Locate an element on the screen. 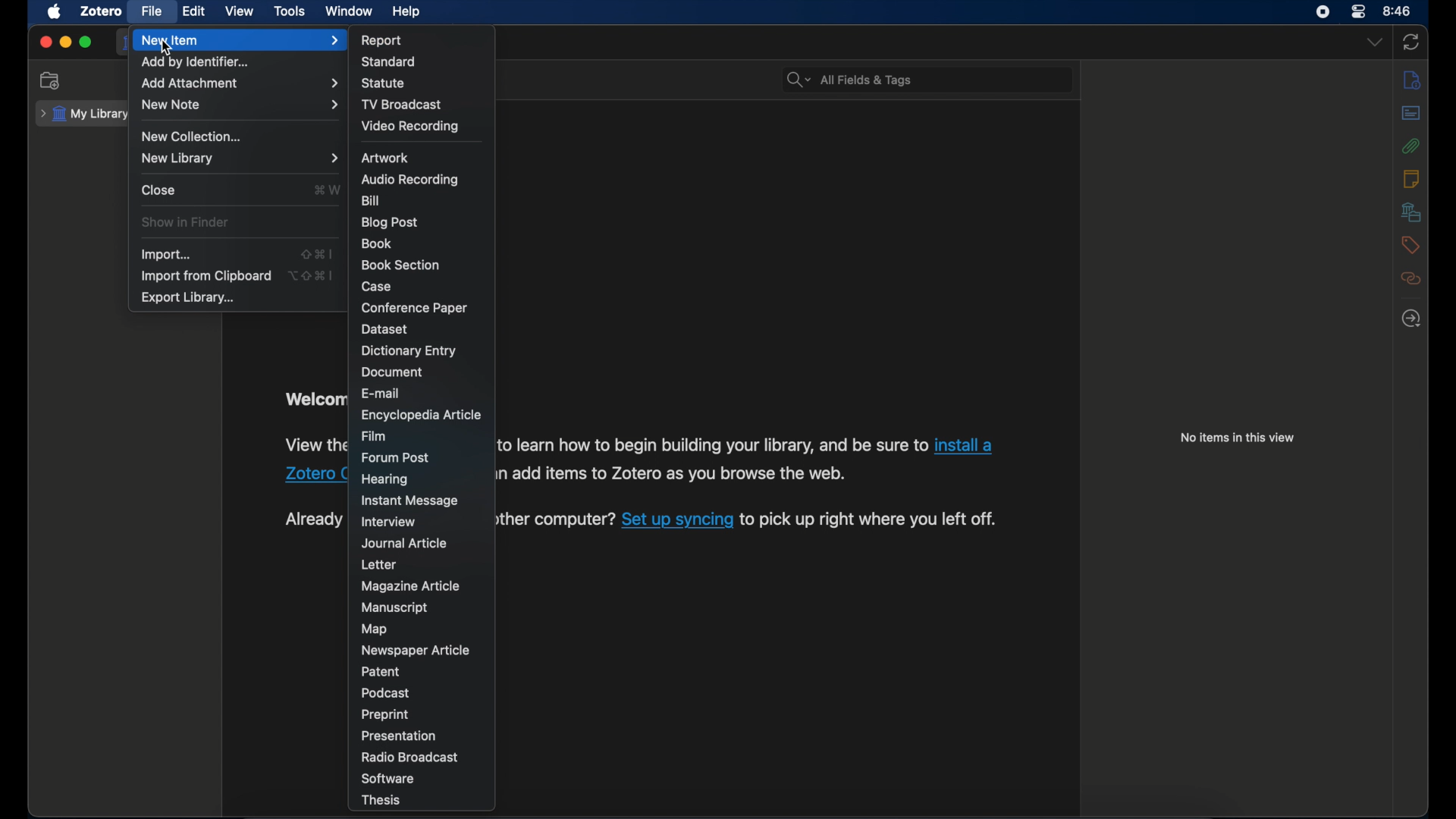 The image size is (1456, 819). new collection is located at coordinates (195, 136).